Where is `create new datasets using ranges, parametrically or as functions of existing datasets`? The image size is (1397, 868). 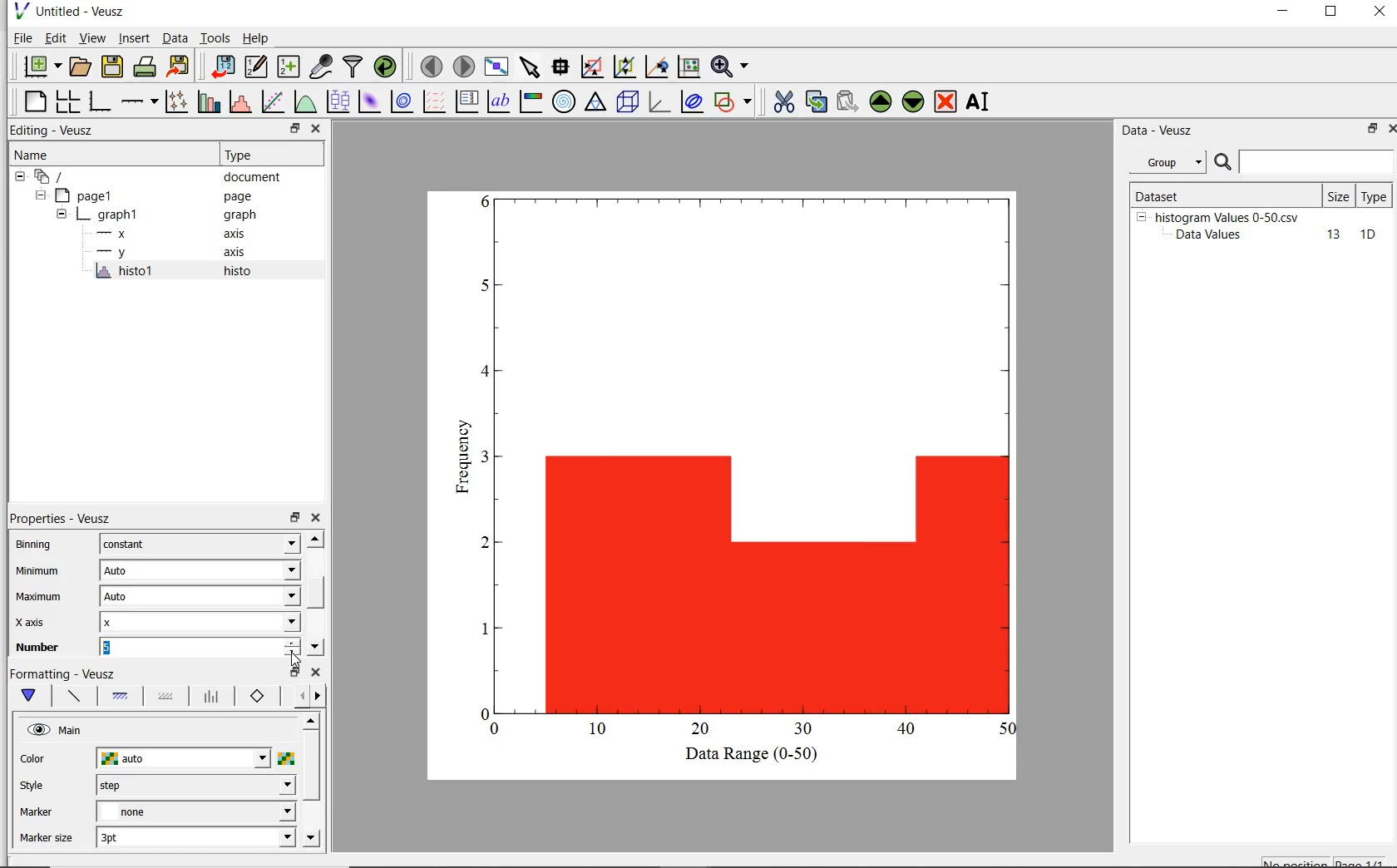 create new datasets using ranges, parametrically or as functions of existing datasets is located at coordinates (291, 65).